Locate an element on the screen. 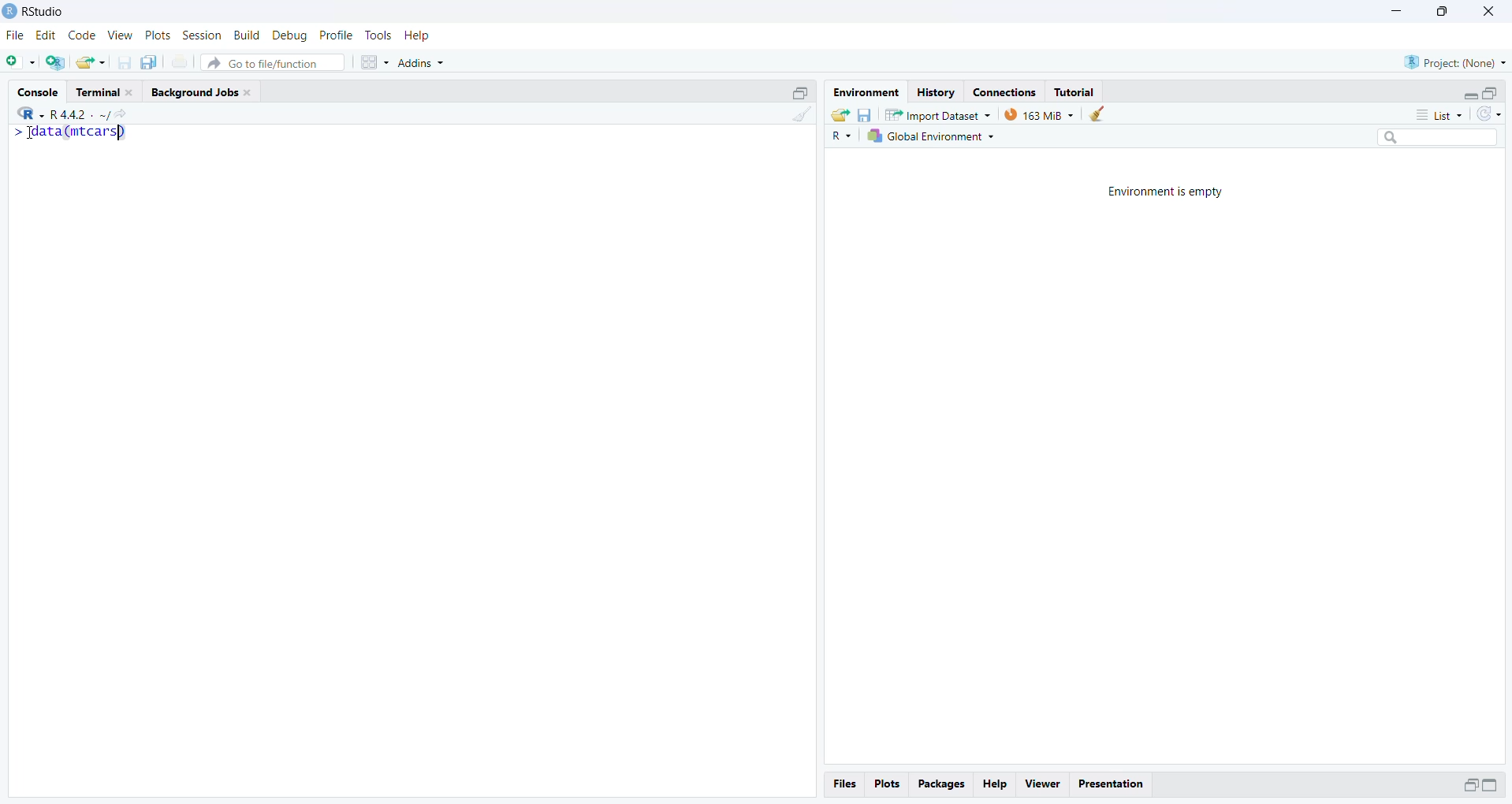 This screenshot has height=804, width=1512. file is located at coordinates (17, 35).